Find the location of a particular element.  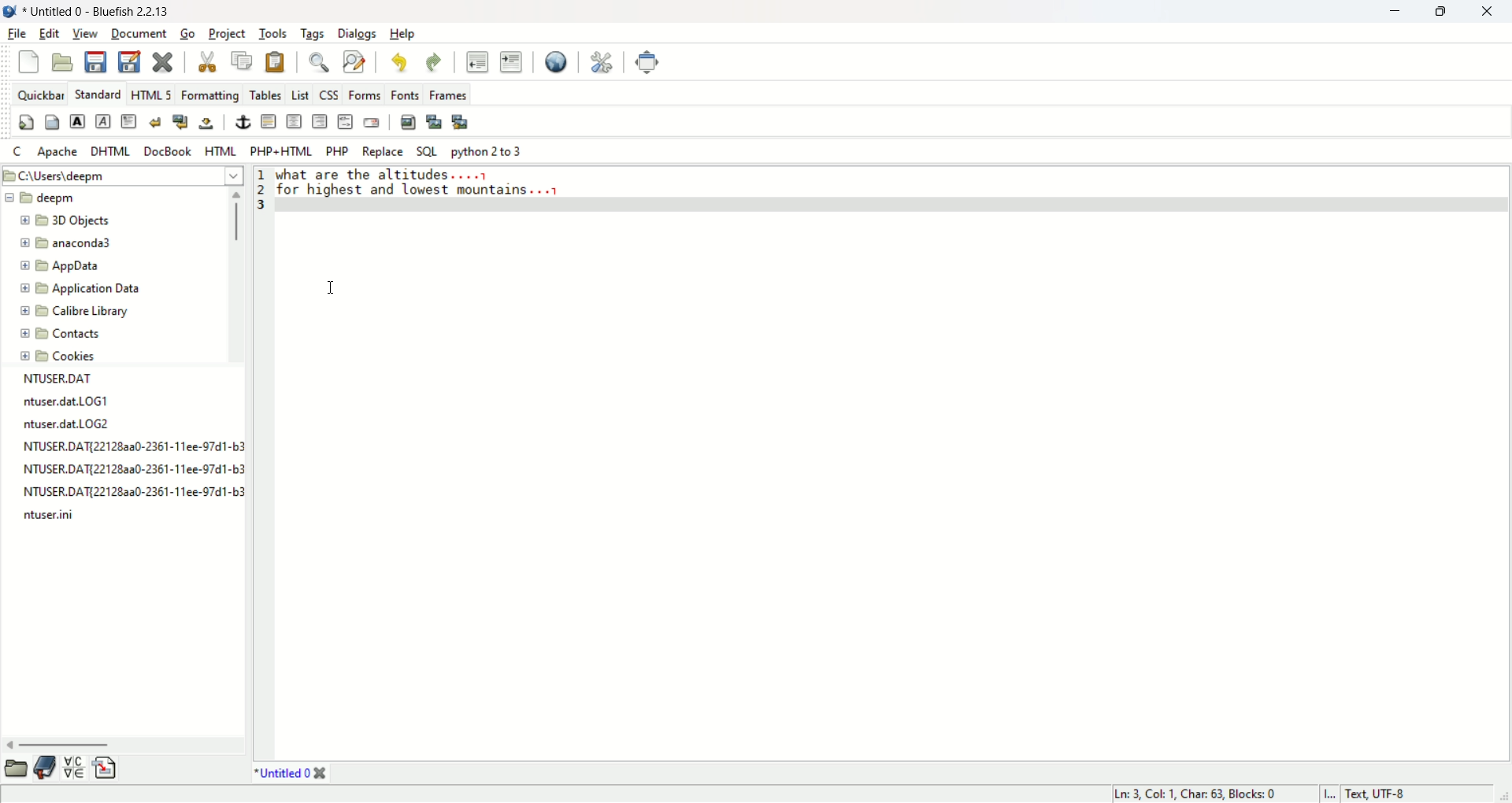

C is located at coordinates (19, 152).